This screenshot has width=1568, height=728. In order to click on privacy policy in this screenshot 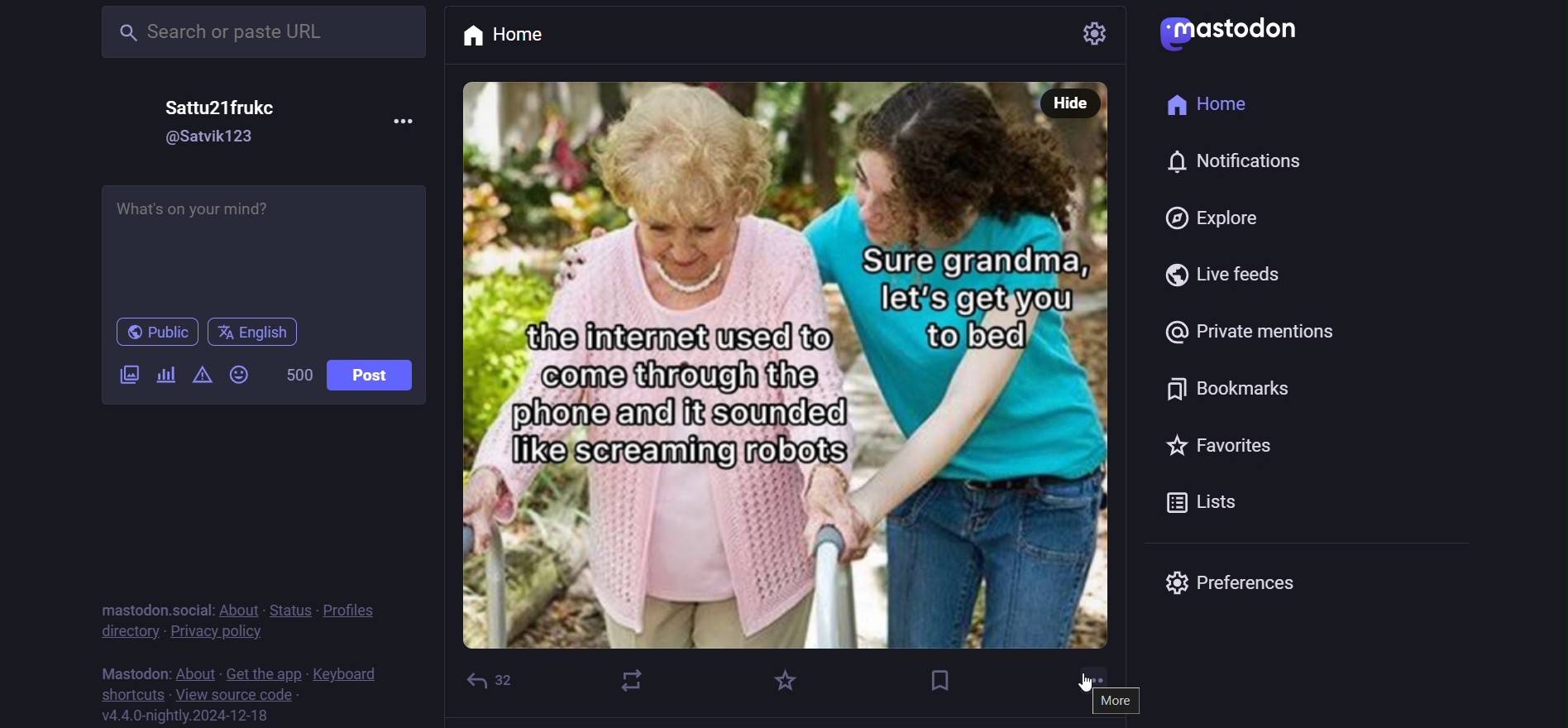, I will do `click(214, 630)`.